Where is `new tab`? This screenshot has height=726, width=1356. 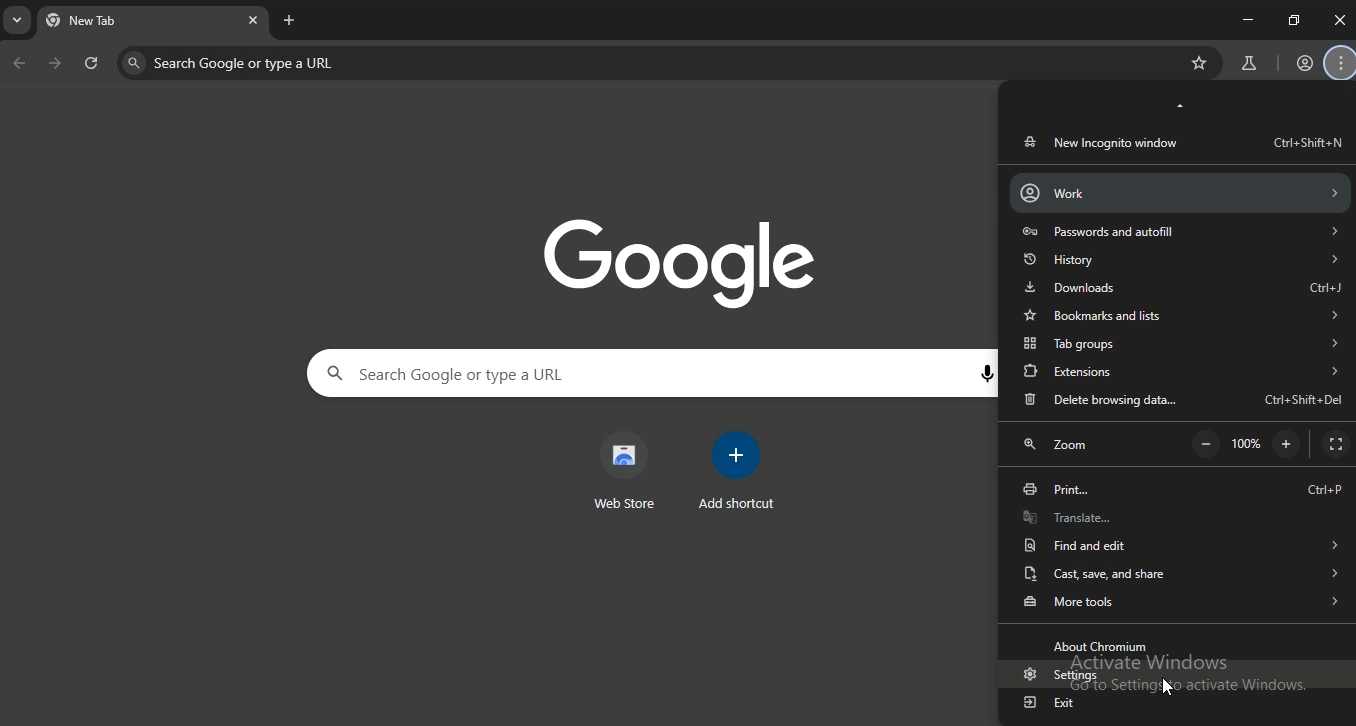 new tab is located at coordinates (290, 20).